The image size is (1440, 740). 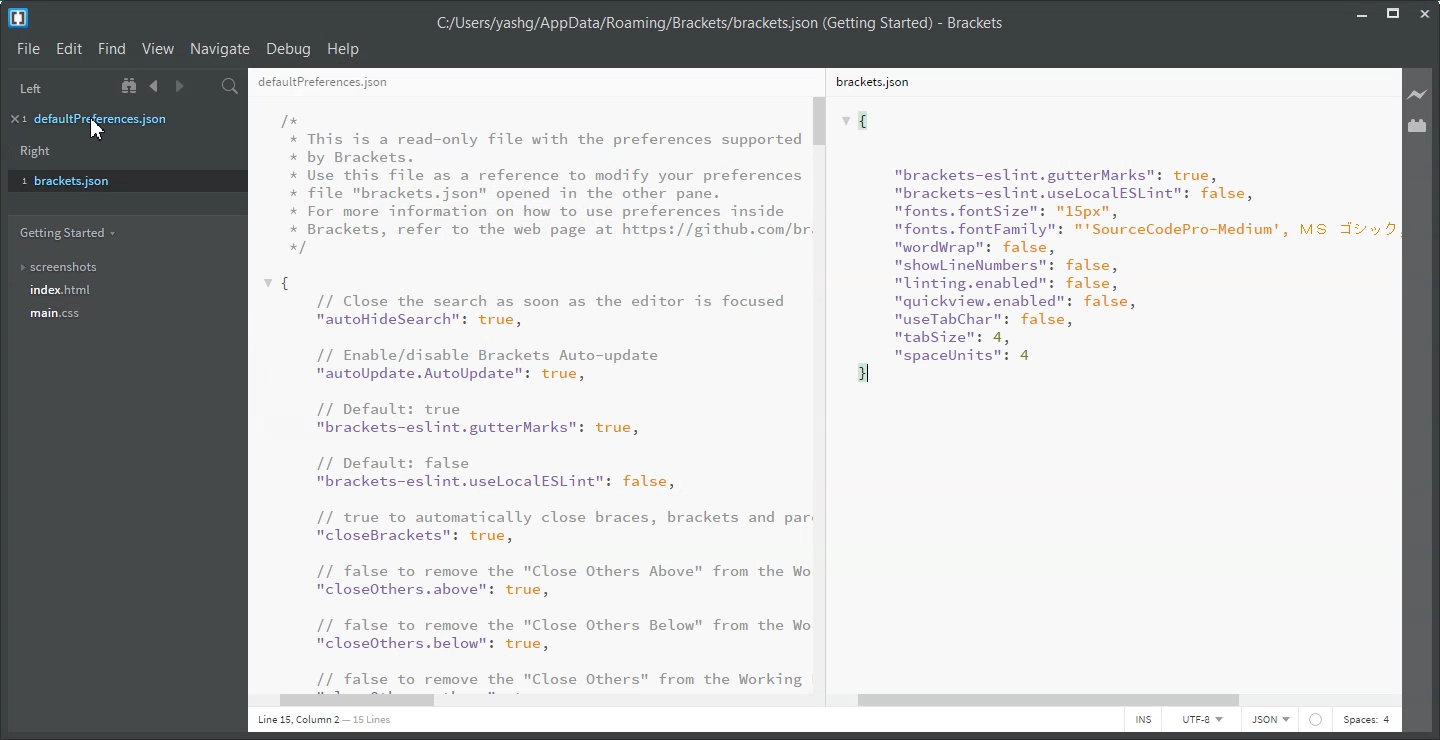 What do you see at coordinates (1418, 94) in the screenshot?
I see `Live Preview` at bounding box center [1418, 94].